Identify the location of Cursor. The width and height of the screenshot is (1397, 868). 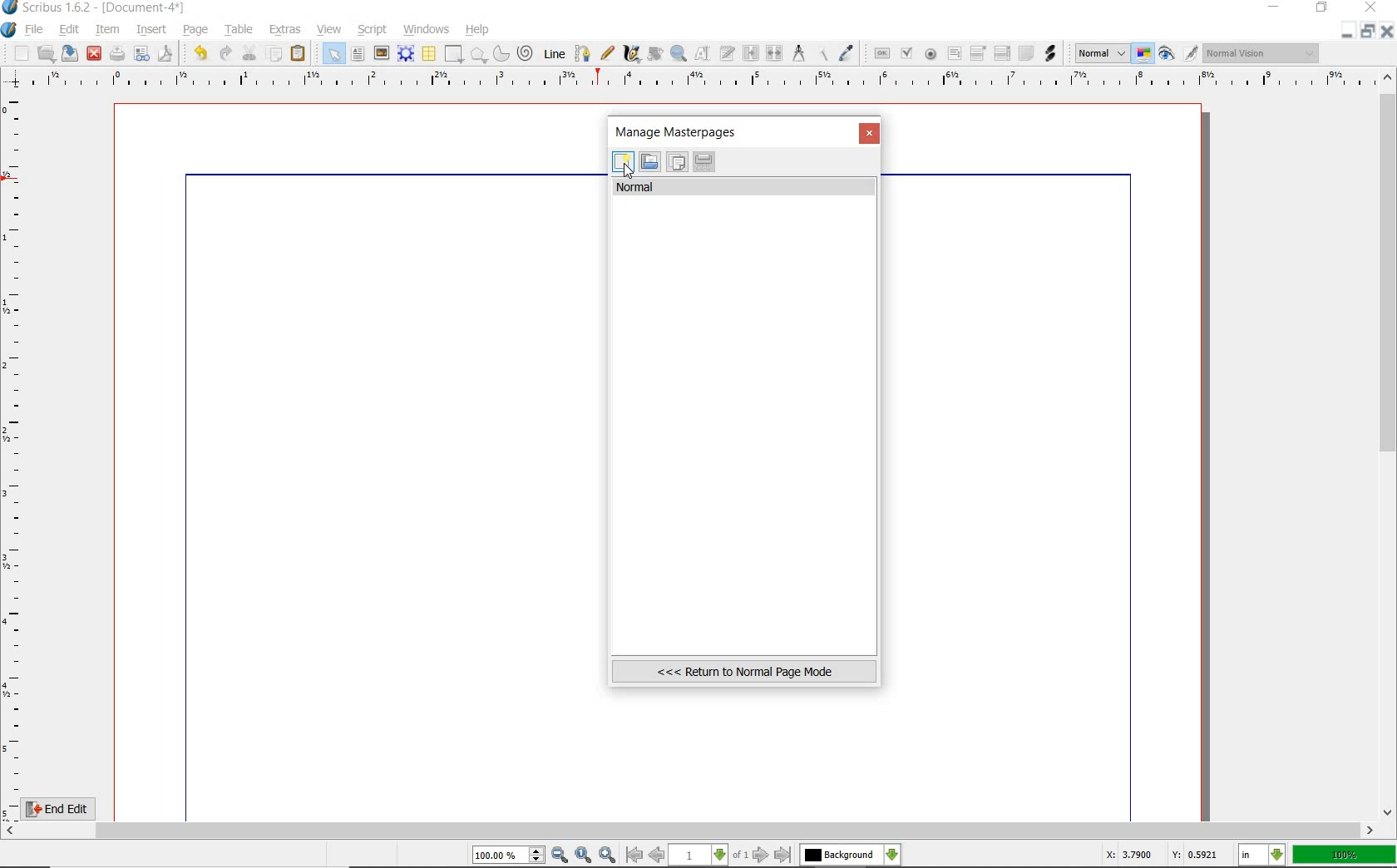
(628, 170).